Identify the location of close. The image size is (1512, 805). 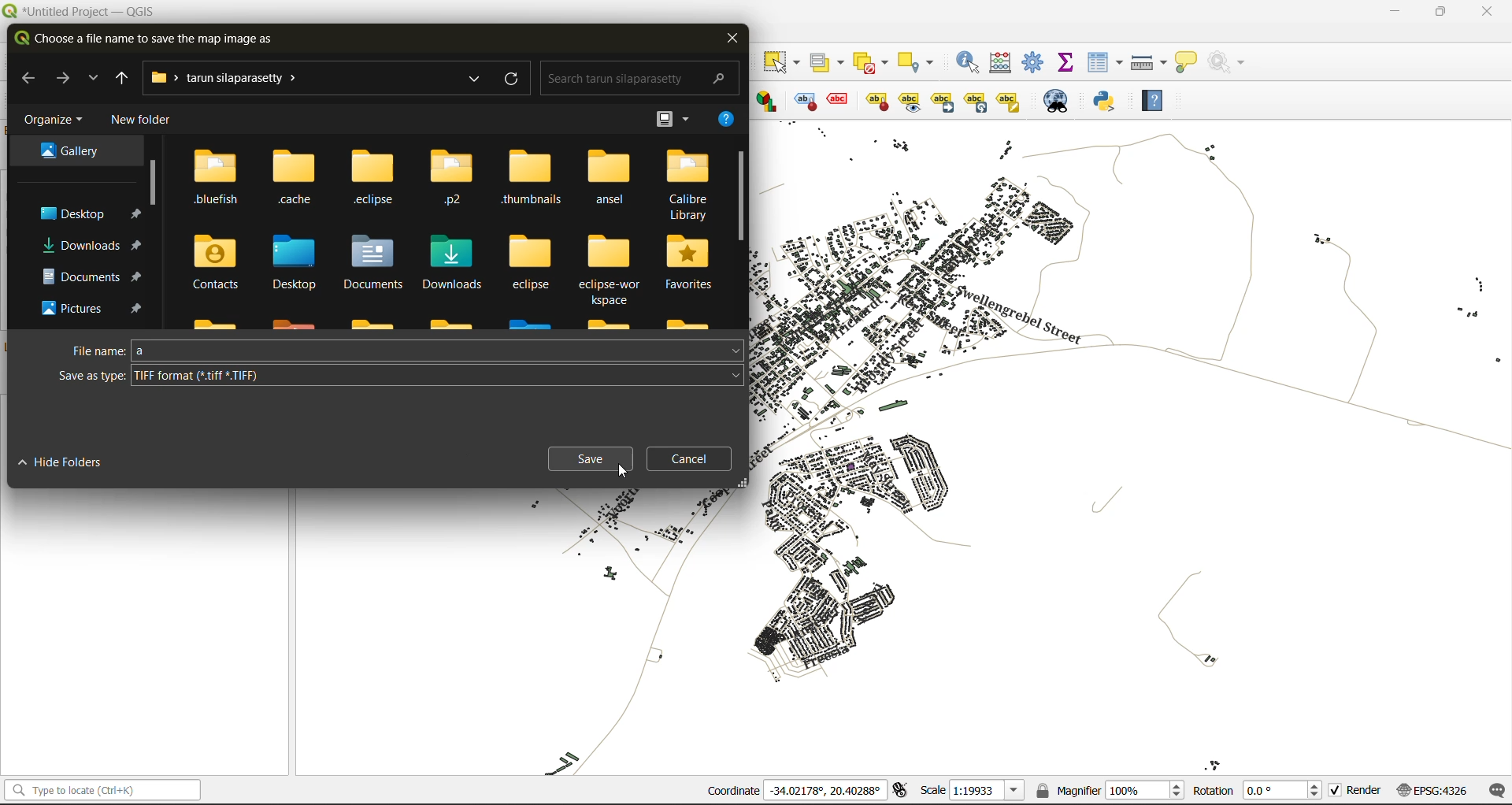
(732, 39).